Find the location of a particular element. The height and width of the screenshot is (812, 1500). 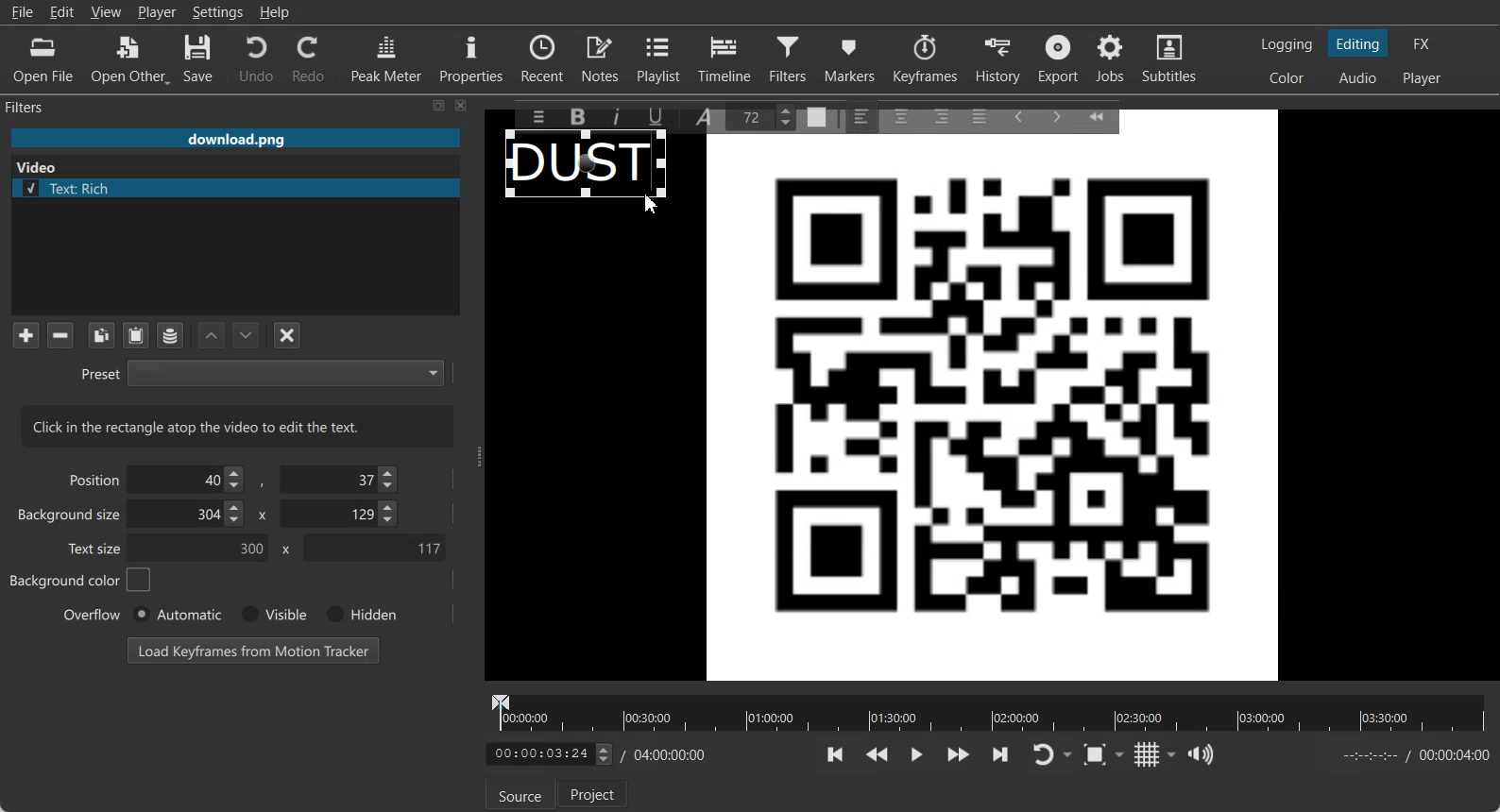

Drop down box is located at coordinates (1172, 754).